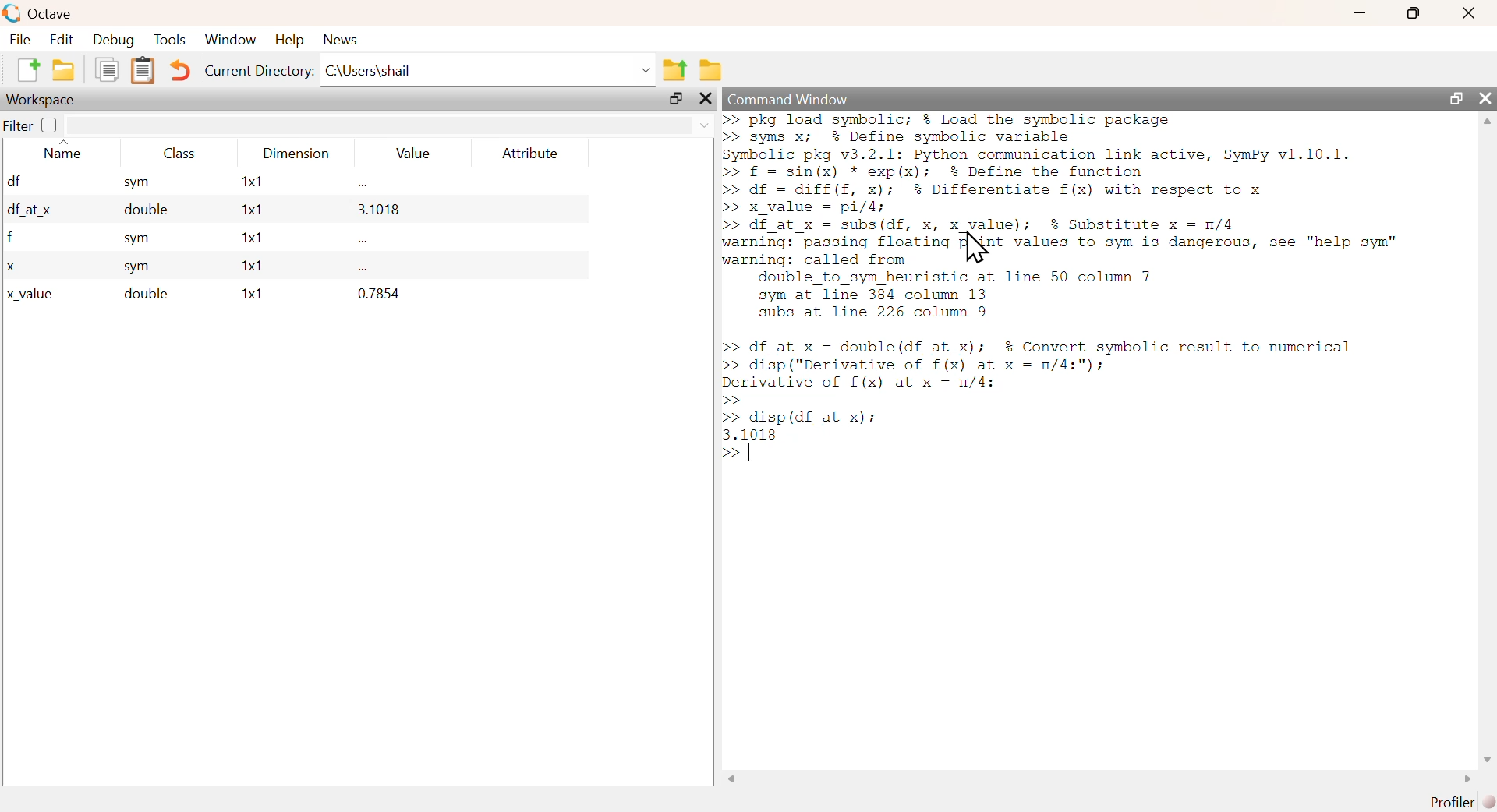 This screenshot has height=812, width=1497. Describe the element at coordinates (14, 180) in the screenshot. I see `df` at that location.